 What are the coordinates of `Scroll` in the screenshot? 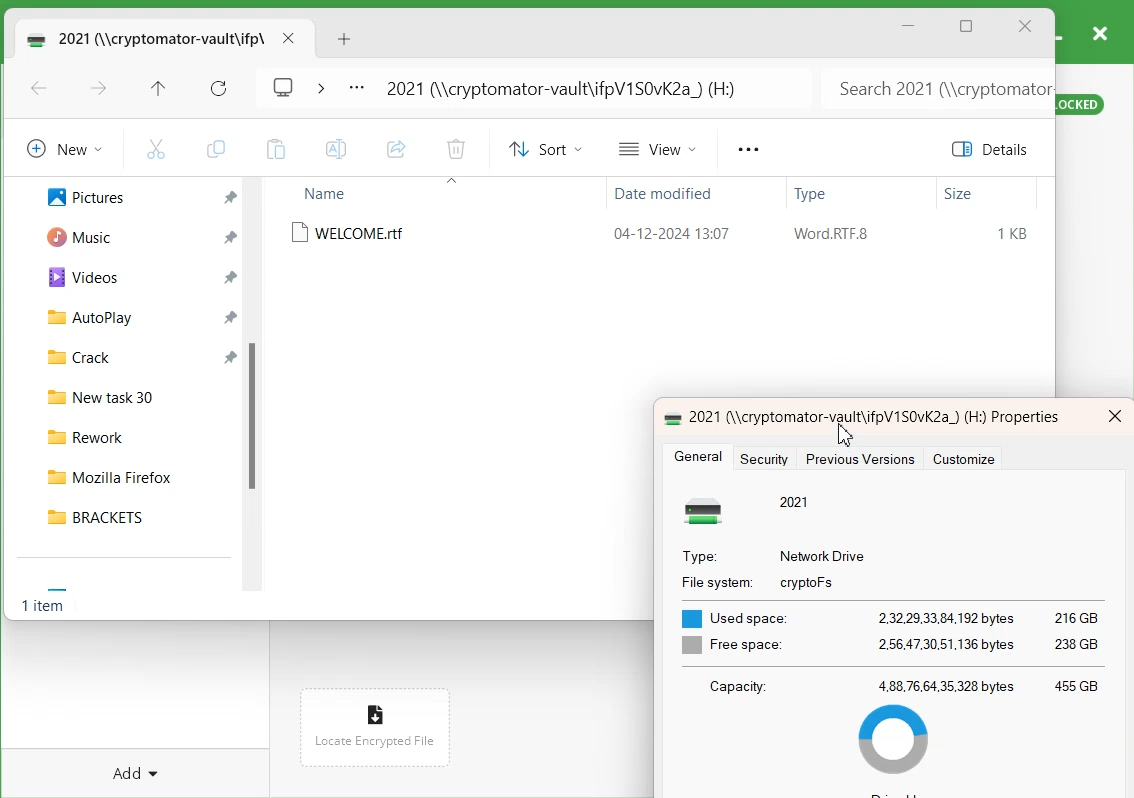 It's located at (257, 391).